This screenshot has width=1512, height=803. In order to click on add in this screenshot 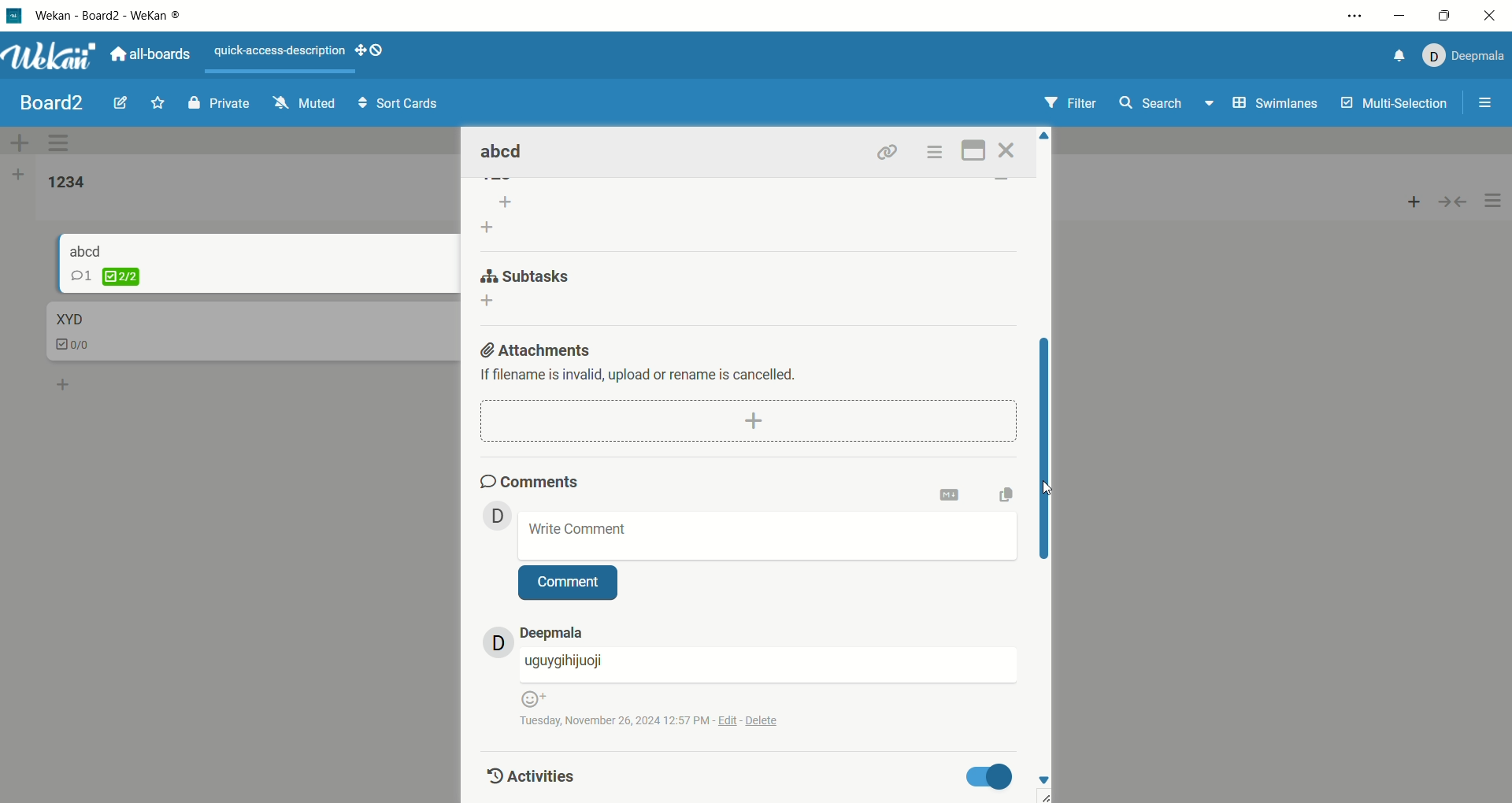, I will do `click(65, 382)`.